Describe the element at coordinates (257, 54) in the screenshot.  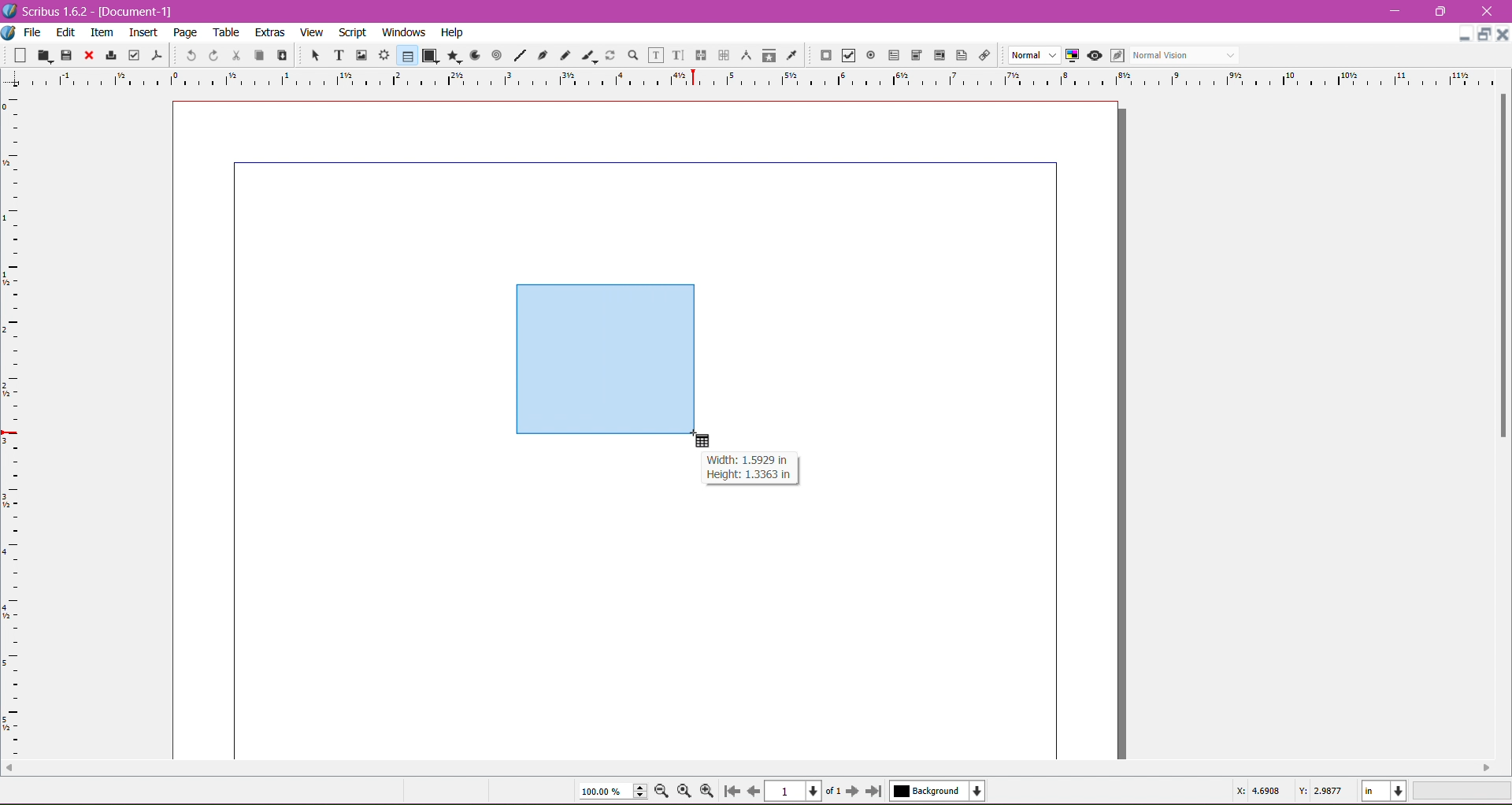
I see `Copy` at that location.